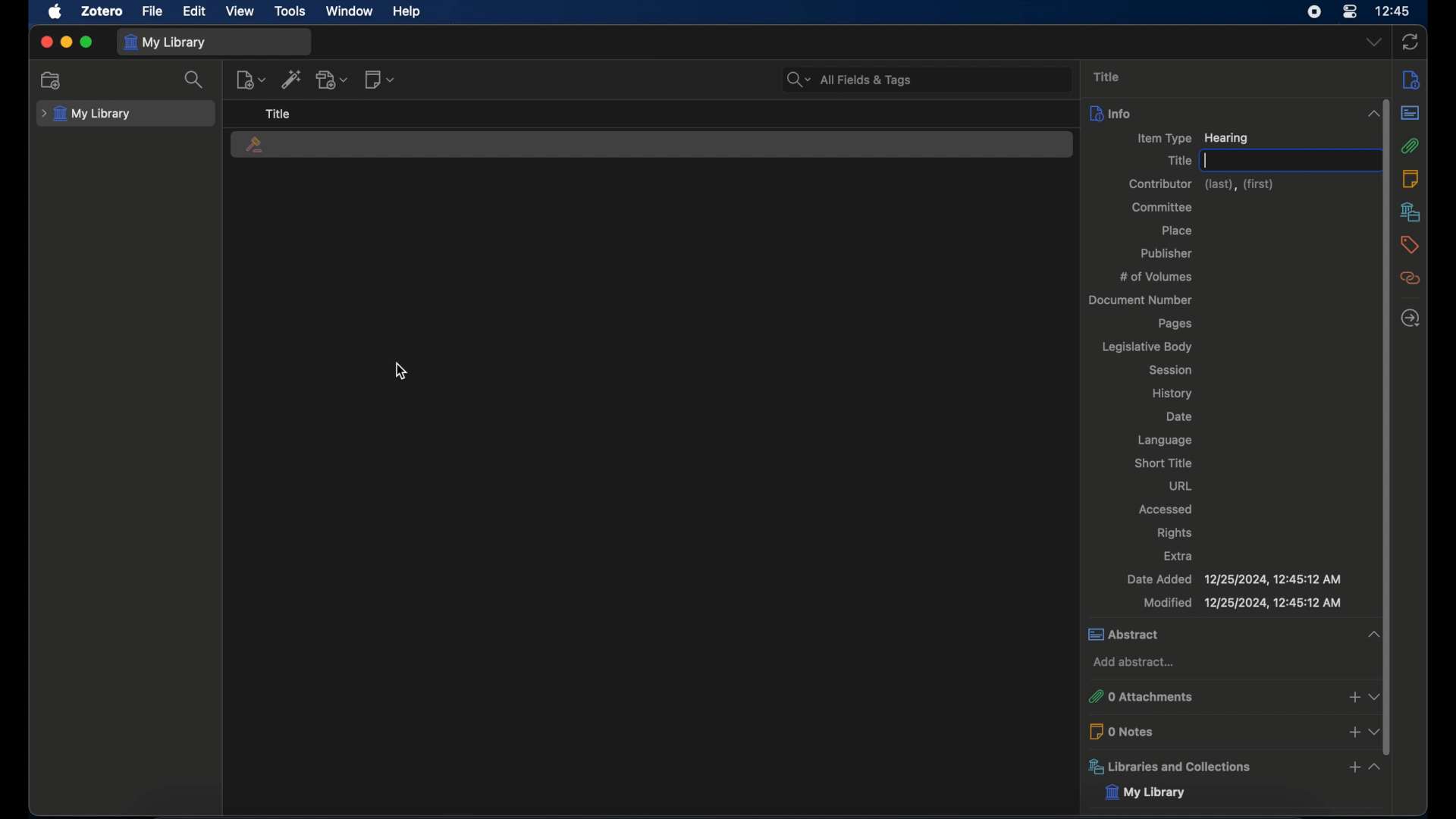 The height and width of the screenshot is (819, 1456). What do you see at coordinates (1411, 112) in the screenshot?
I see `abstract` at bounding box center [1411, 112].